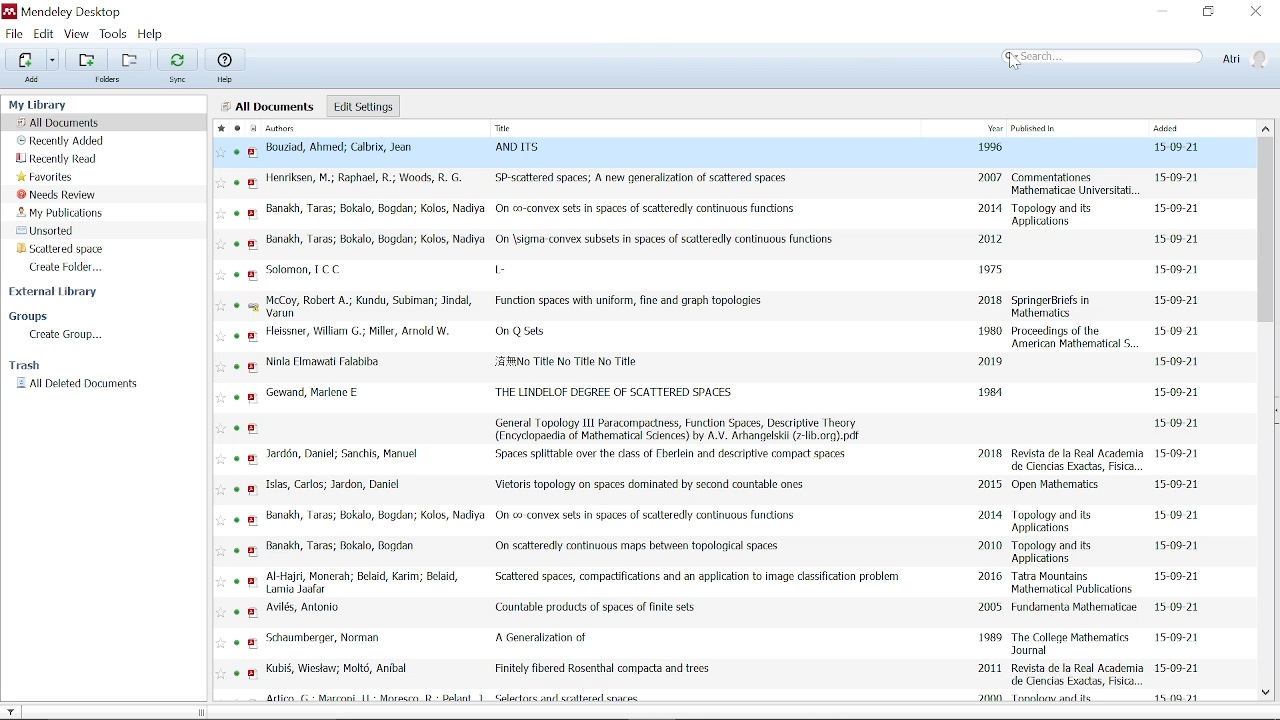  I want to click on Close, so click(1258, 11).